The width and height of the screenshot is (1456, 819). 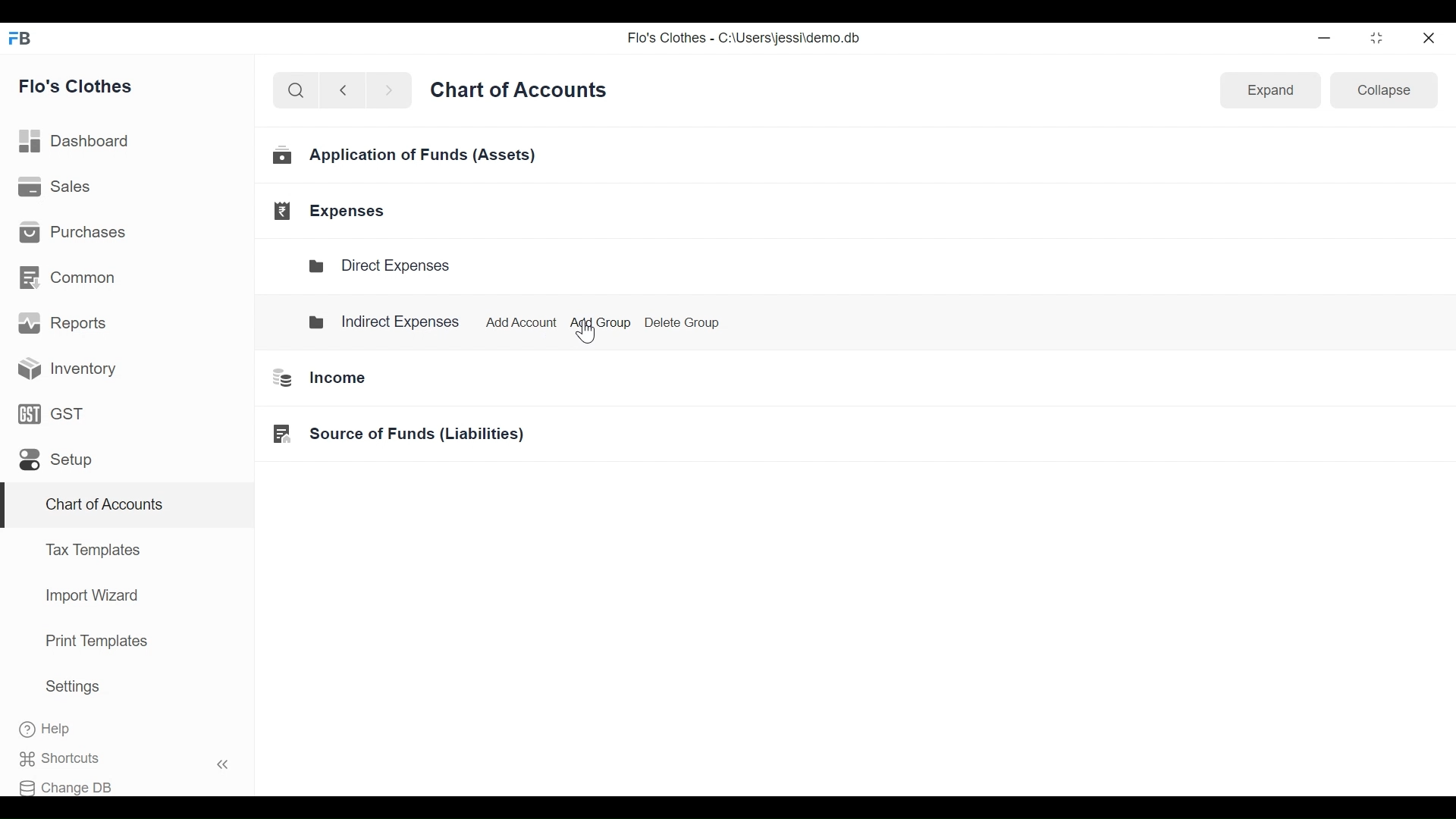 I want to click on GST, so click(x=52, y=416).